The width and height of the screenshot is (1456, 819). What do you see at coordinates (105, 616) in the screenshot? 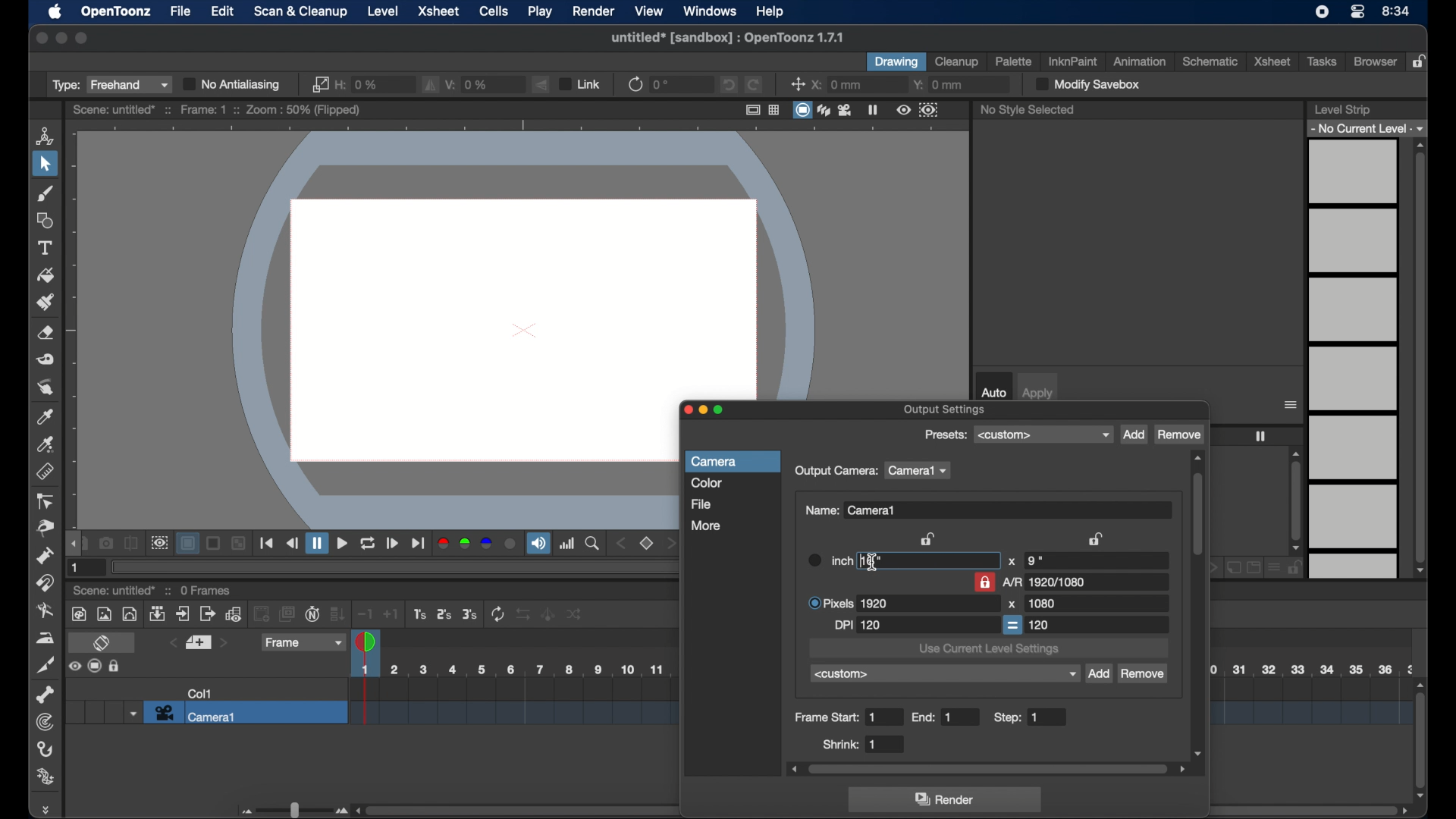
I see `` at bounding box center [105, 616].